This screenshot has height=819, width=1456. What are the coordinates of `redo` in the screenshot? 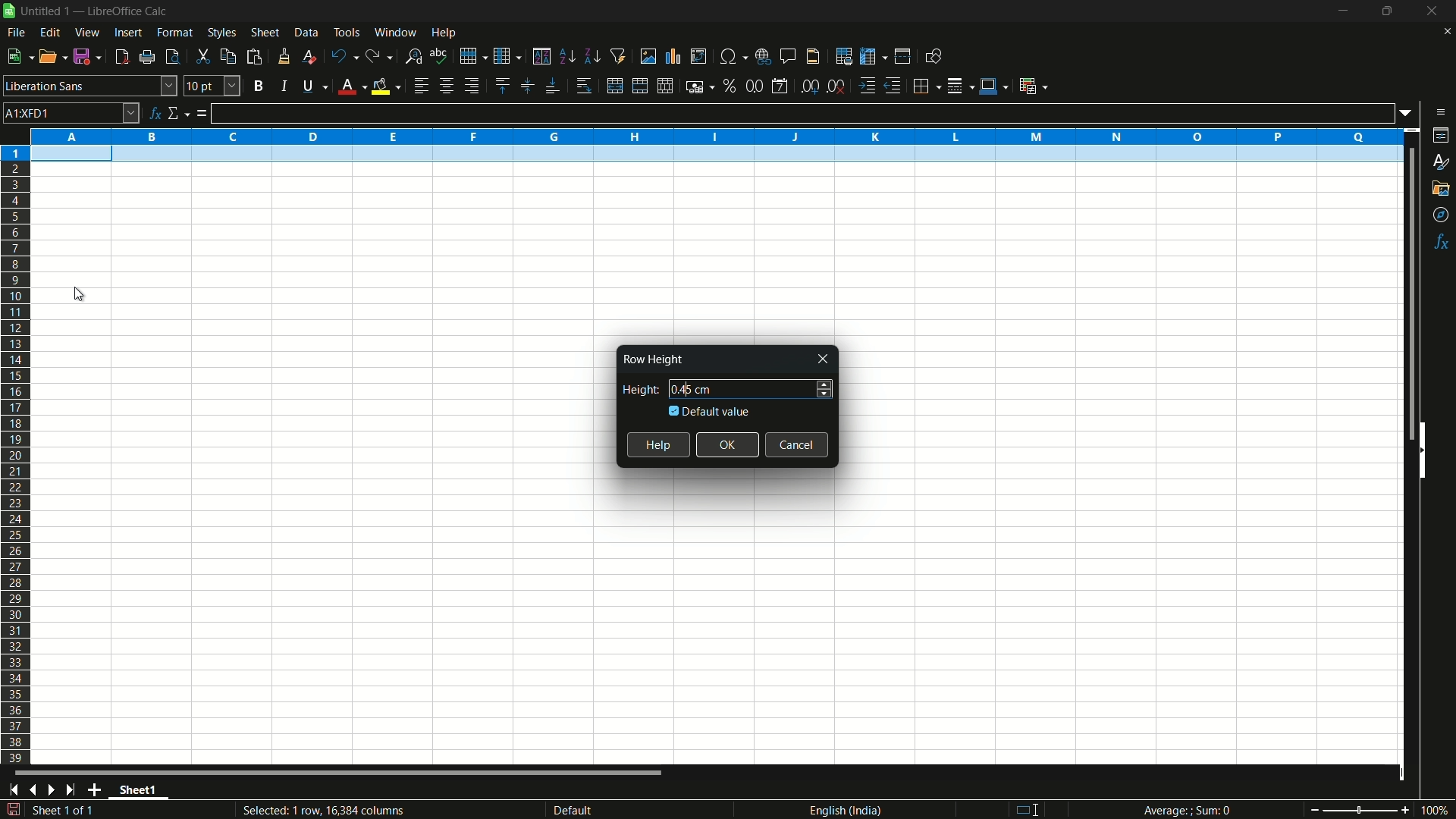 It's located at (380, 57).